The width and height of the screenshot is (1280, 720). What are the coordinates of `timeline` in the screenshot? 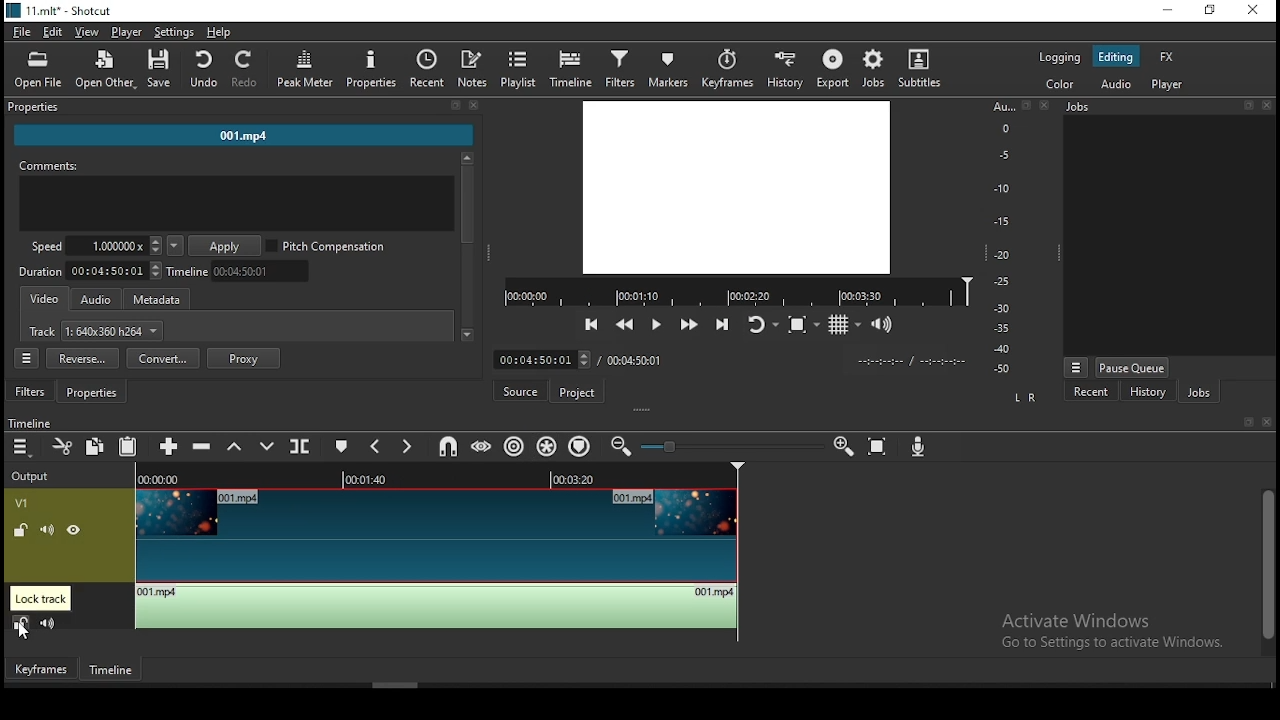 It's located at (115, 669).